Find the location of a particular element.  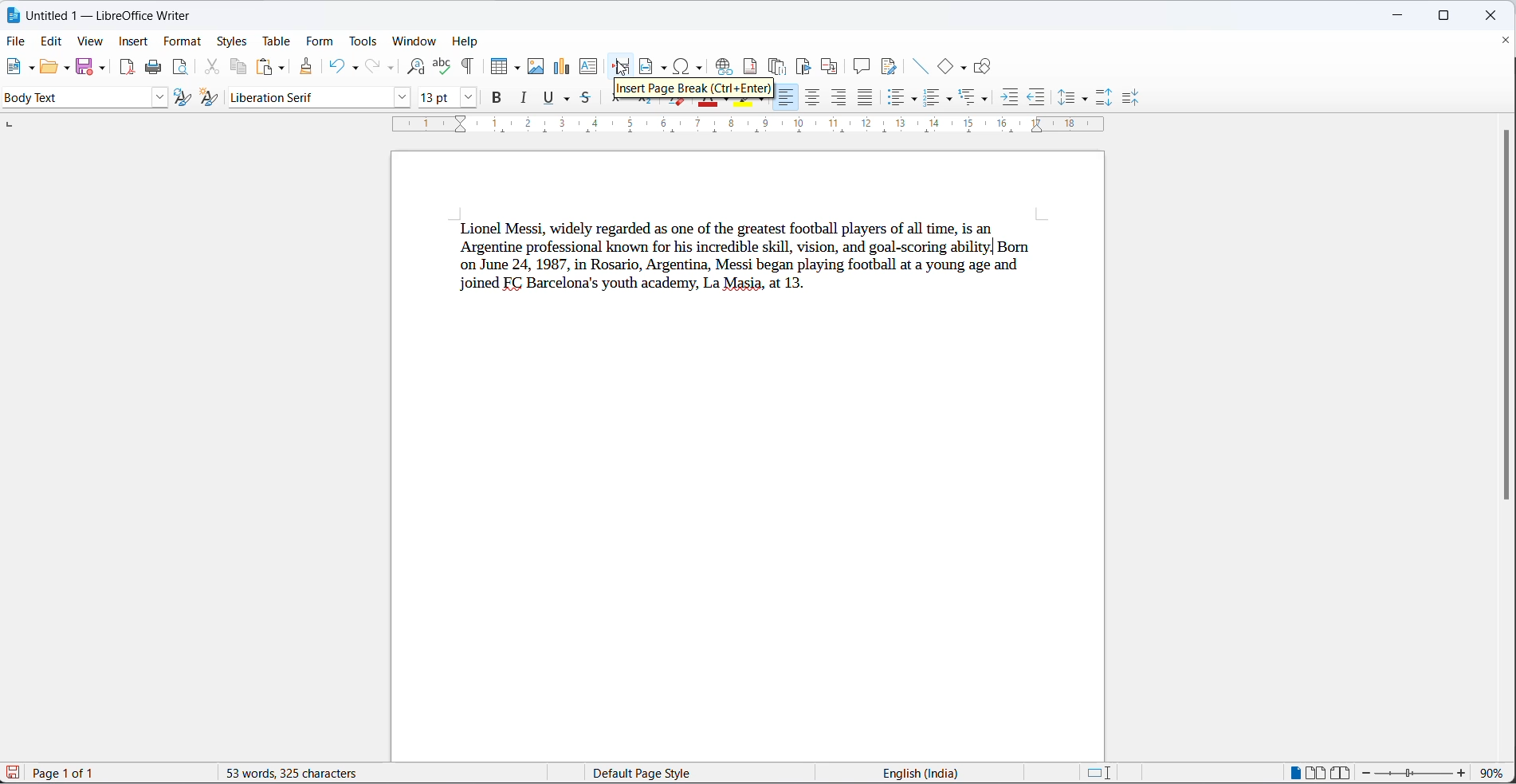

clear direct formatting is located at coordinates (677, 102).